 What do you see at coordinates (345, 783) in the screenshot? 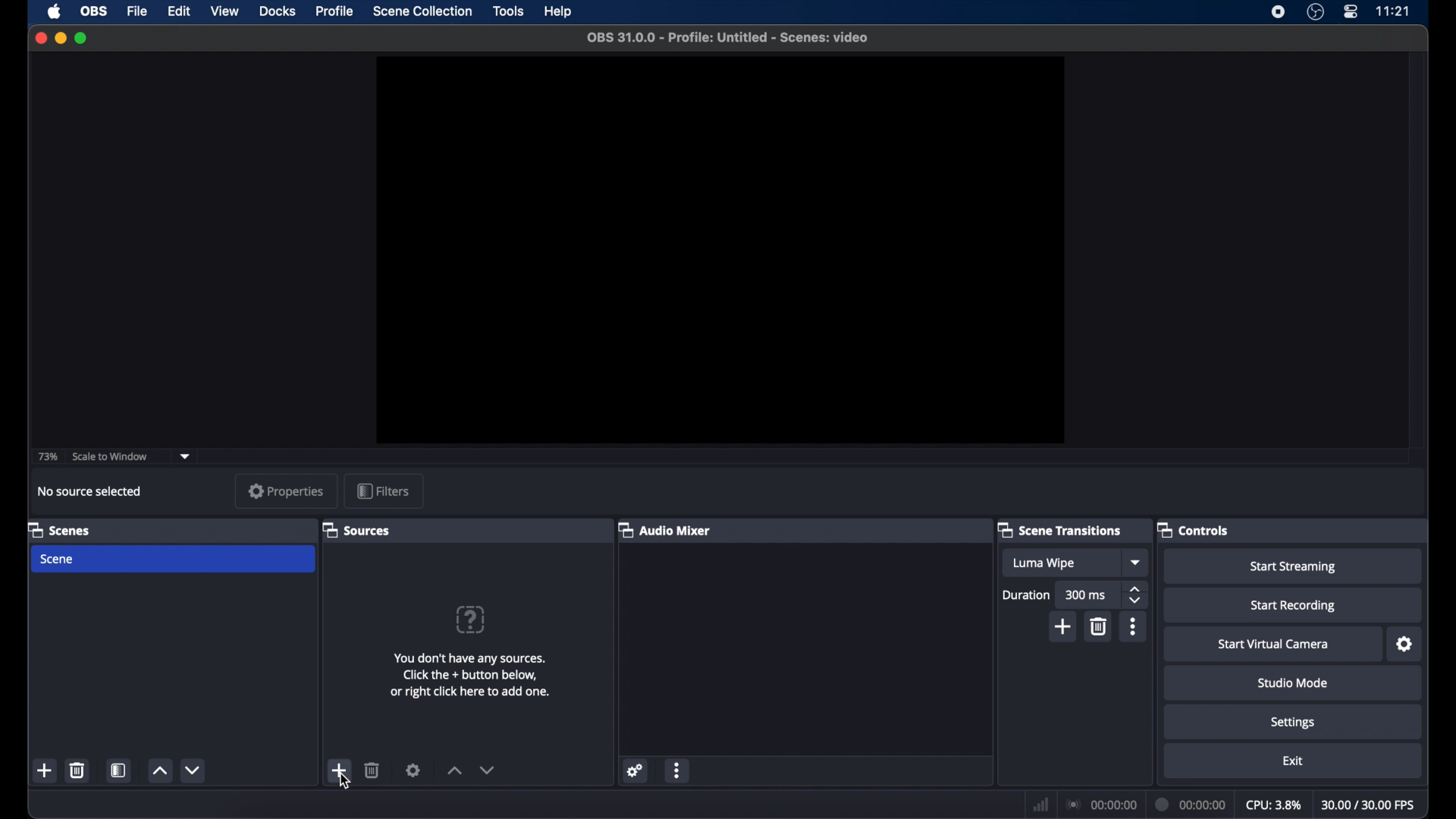
I see `cursor` at bounding box center [345, 783].